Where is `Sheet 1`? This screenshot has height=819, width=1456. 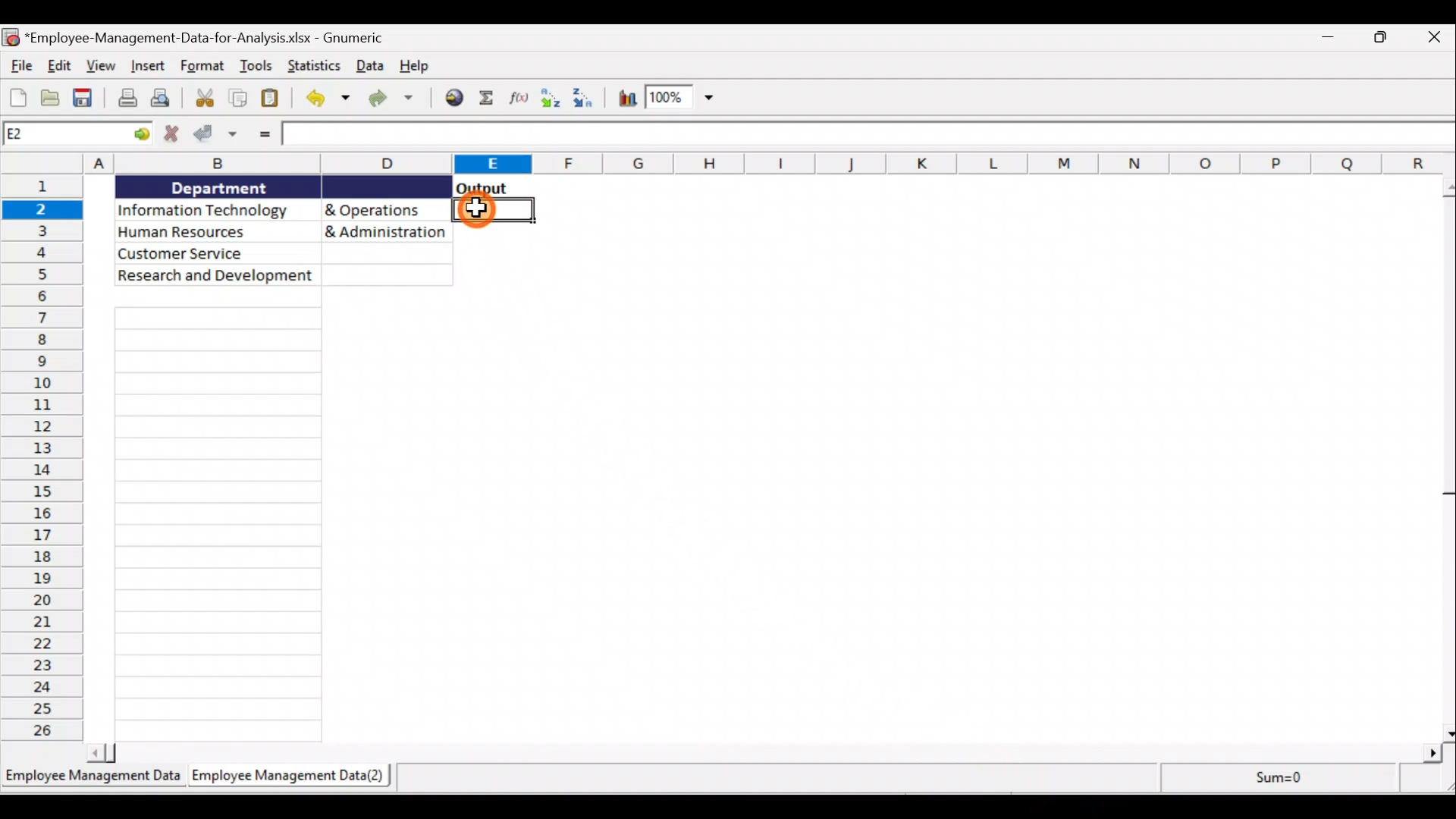
Sheet 1 is located at coordinates (94, 781).